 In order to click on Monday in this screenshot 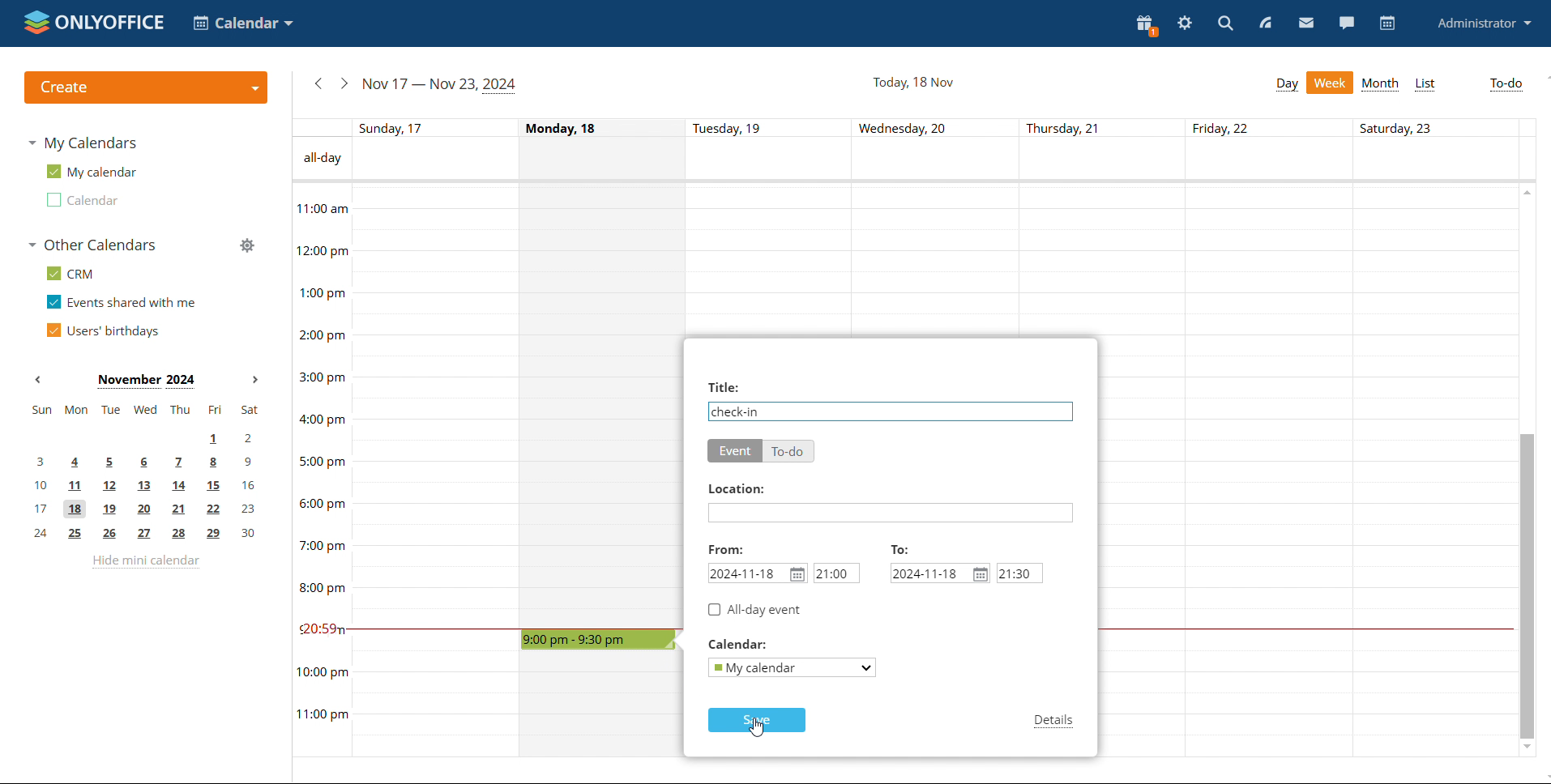, I will do `click(603, 406)`.